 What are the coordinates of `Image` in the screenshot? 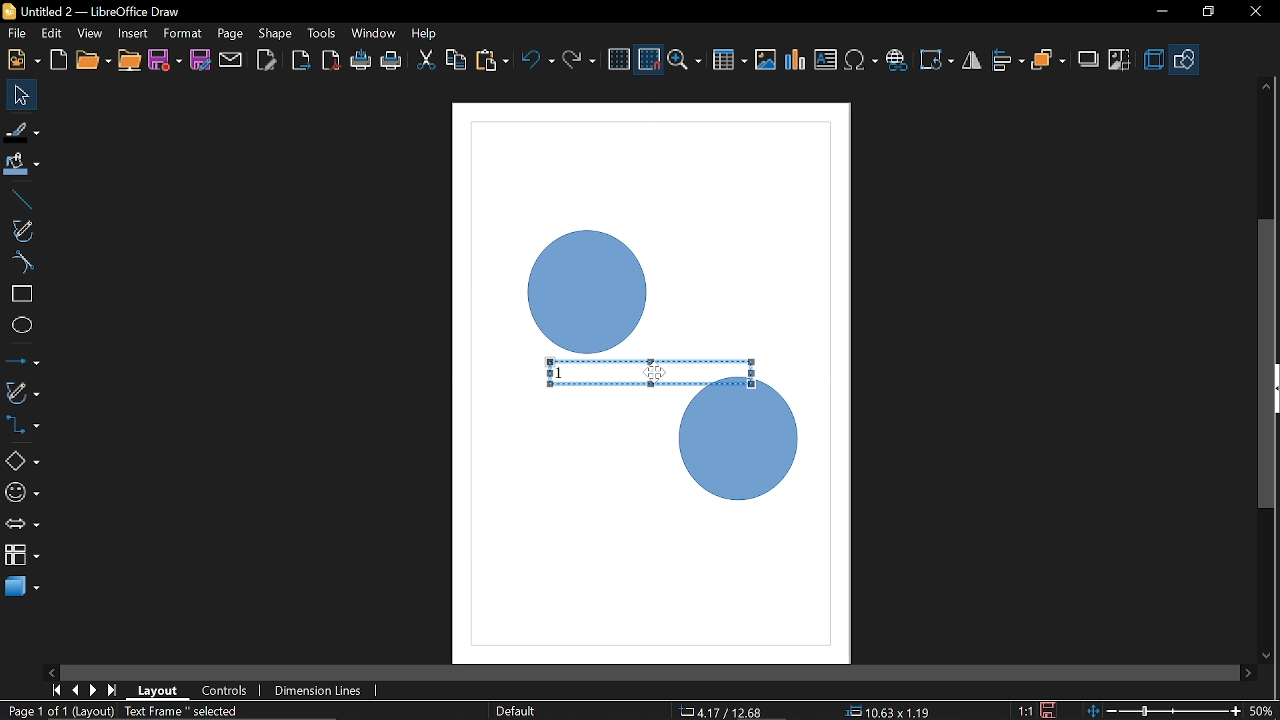 It's located at (765, 59).